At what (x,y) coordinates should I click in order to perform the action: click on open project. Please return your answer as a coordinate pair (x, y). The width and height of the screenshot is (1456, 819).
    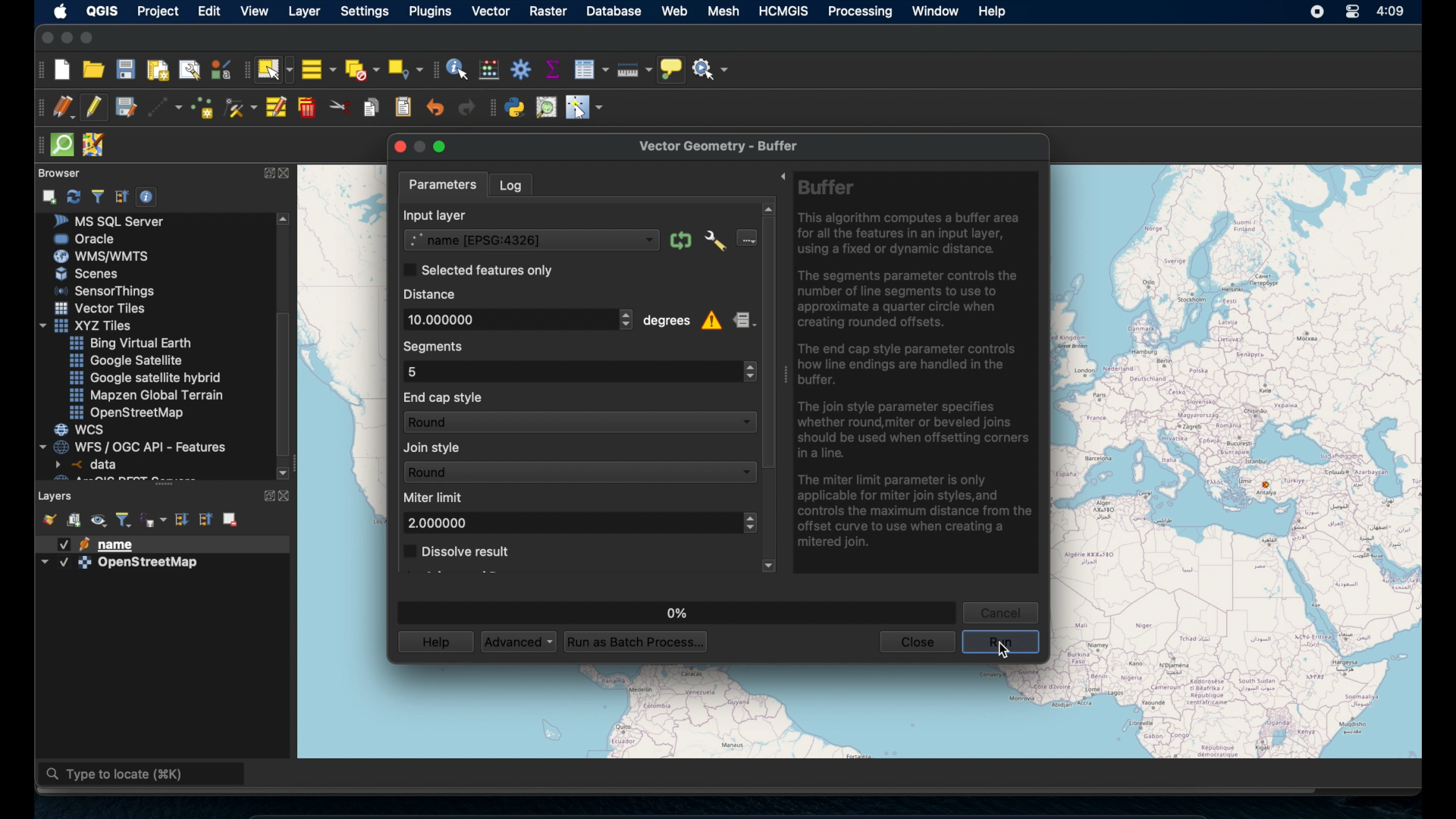
    Looking at the image, I should click on (94, 71).